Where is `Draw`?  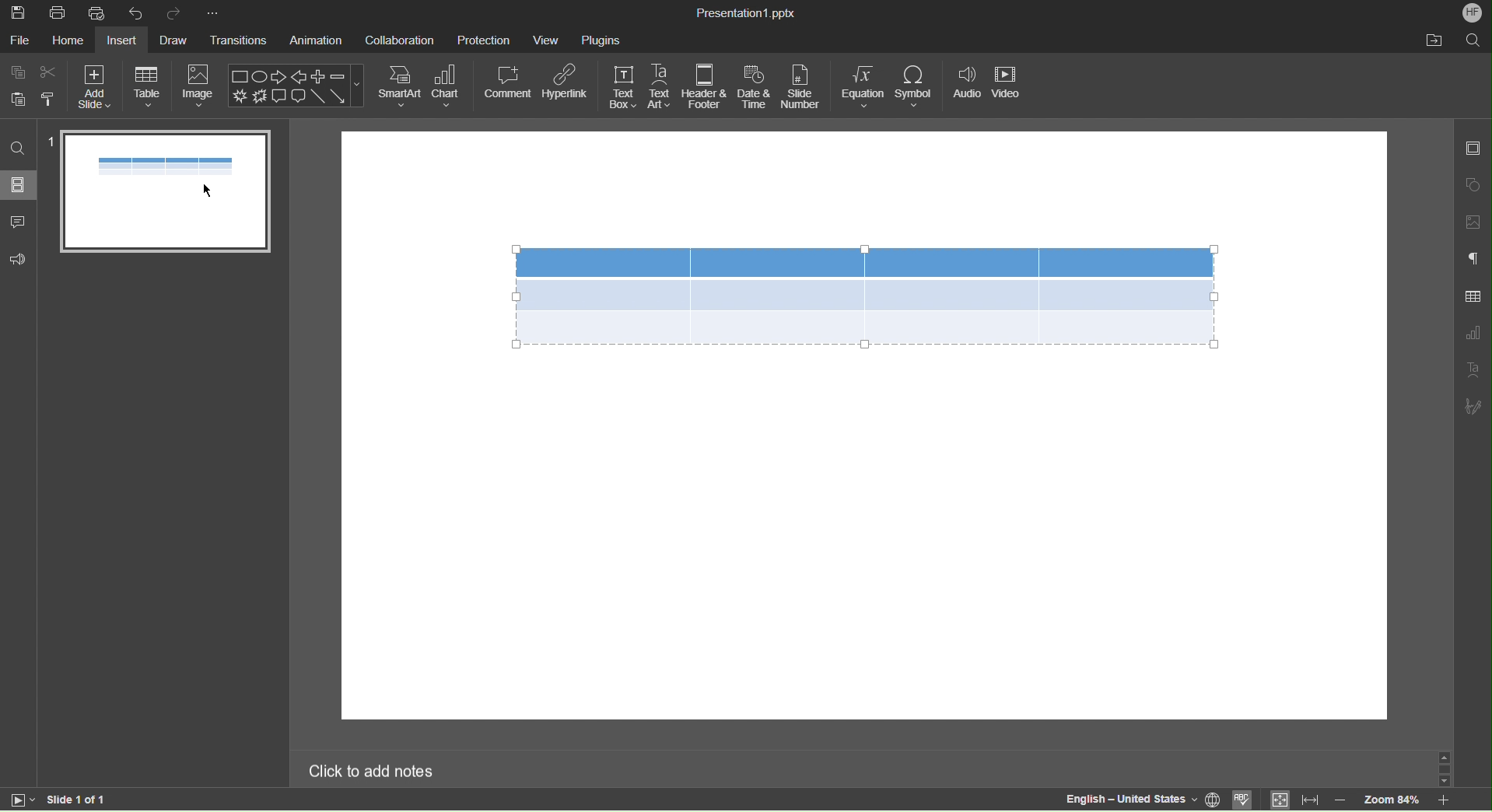 Draw is located at coordinates (176, 41).